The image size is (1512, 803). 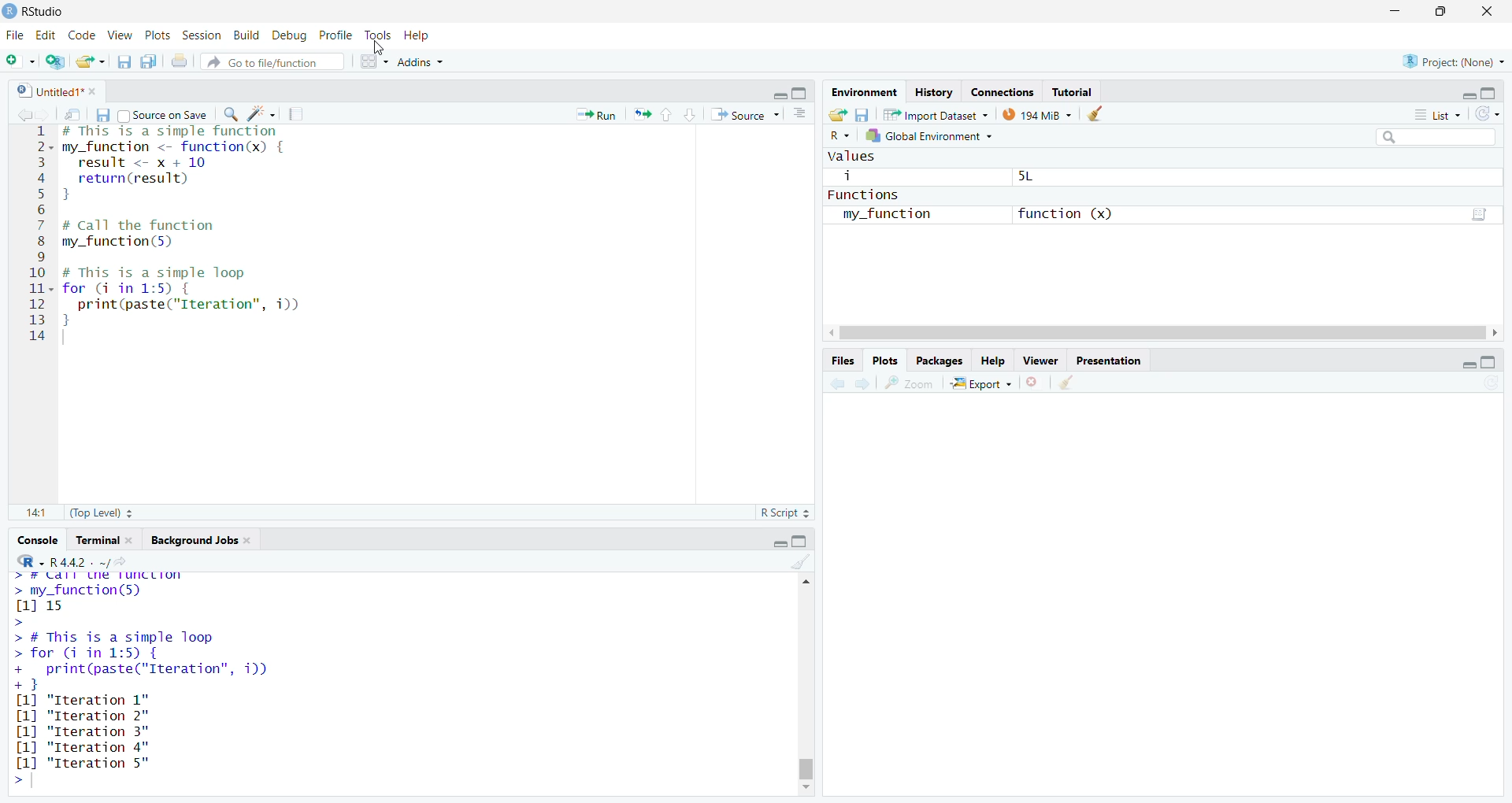 What do you see at coordinates (253, 542) in the screenshot?
I see `close` at bounding box center [253, 542].